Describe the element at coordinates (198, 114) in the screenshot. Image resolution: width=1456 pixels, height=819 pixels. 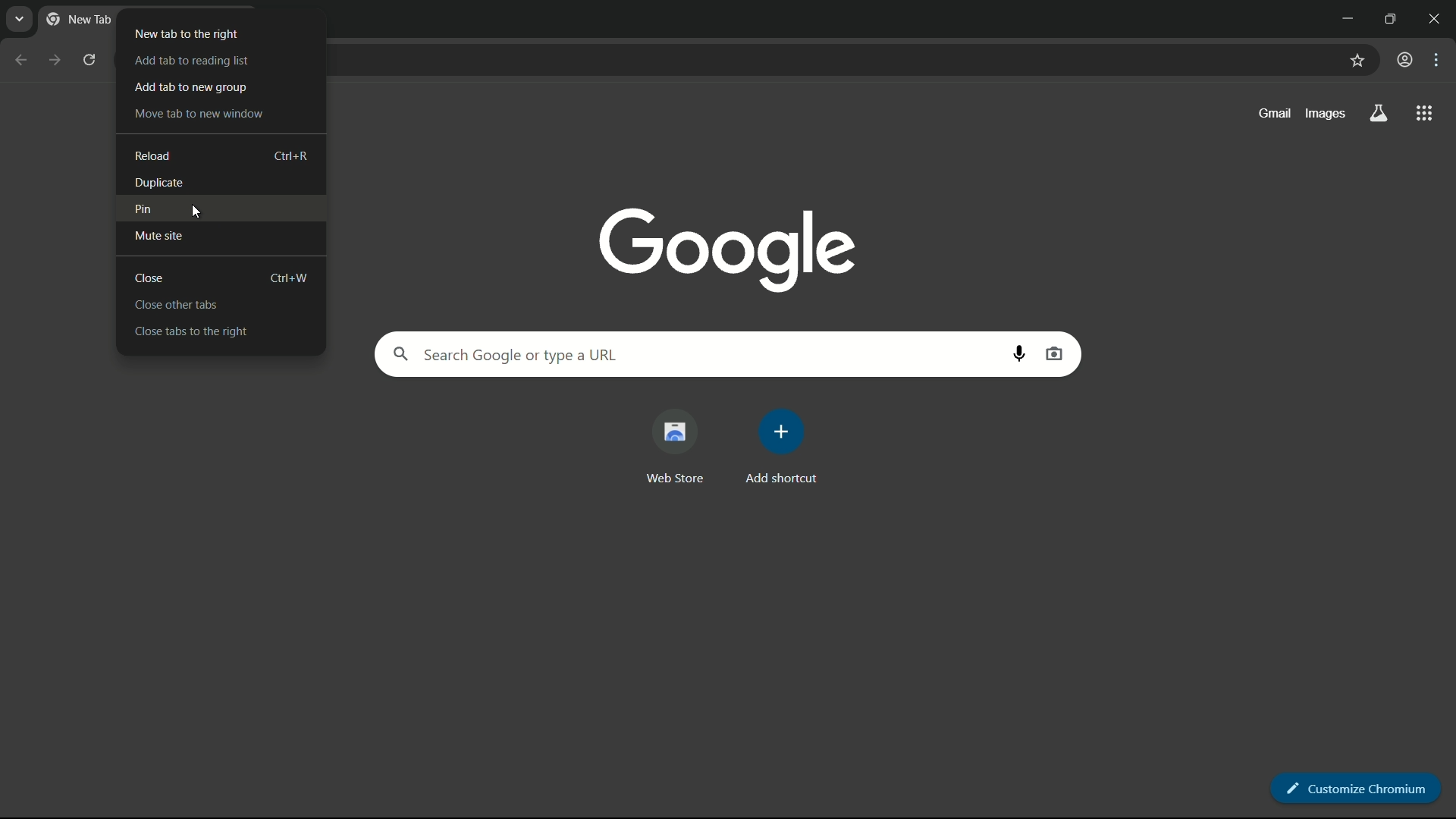
I see `move tab to new window` at that location.